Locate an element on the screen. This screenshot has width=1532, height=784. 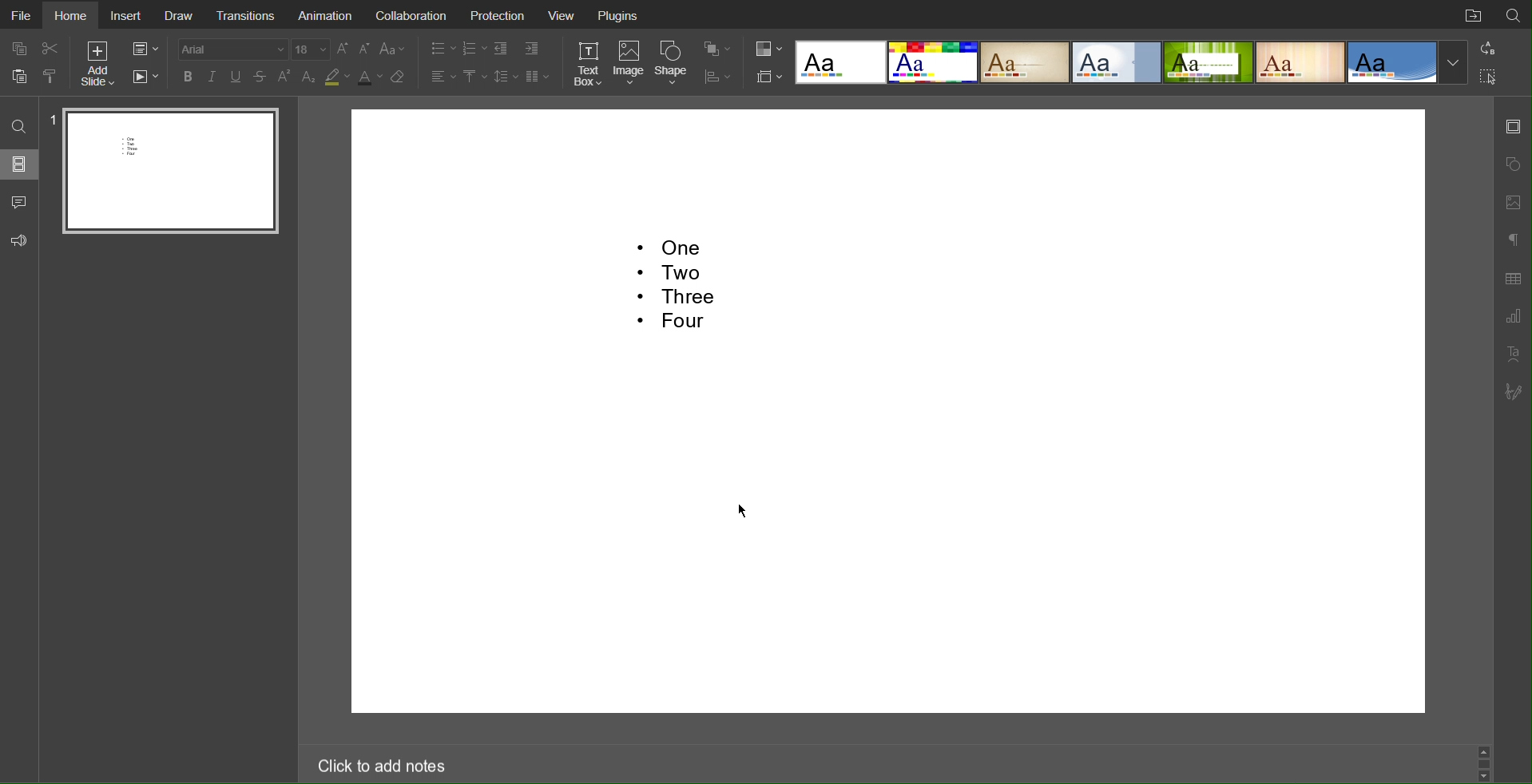
Selection is located at coordinates (1486, 75).